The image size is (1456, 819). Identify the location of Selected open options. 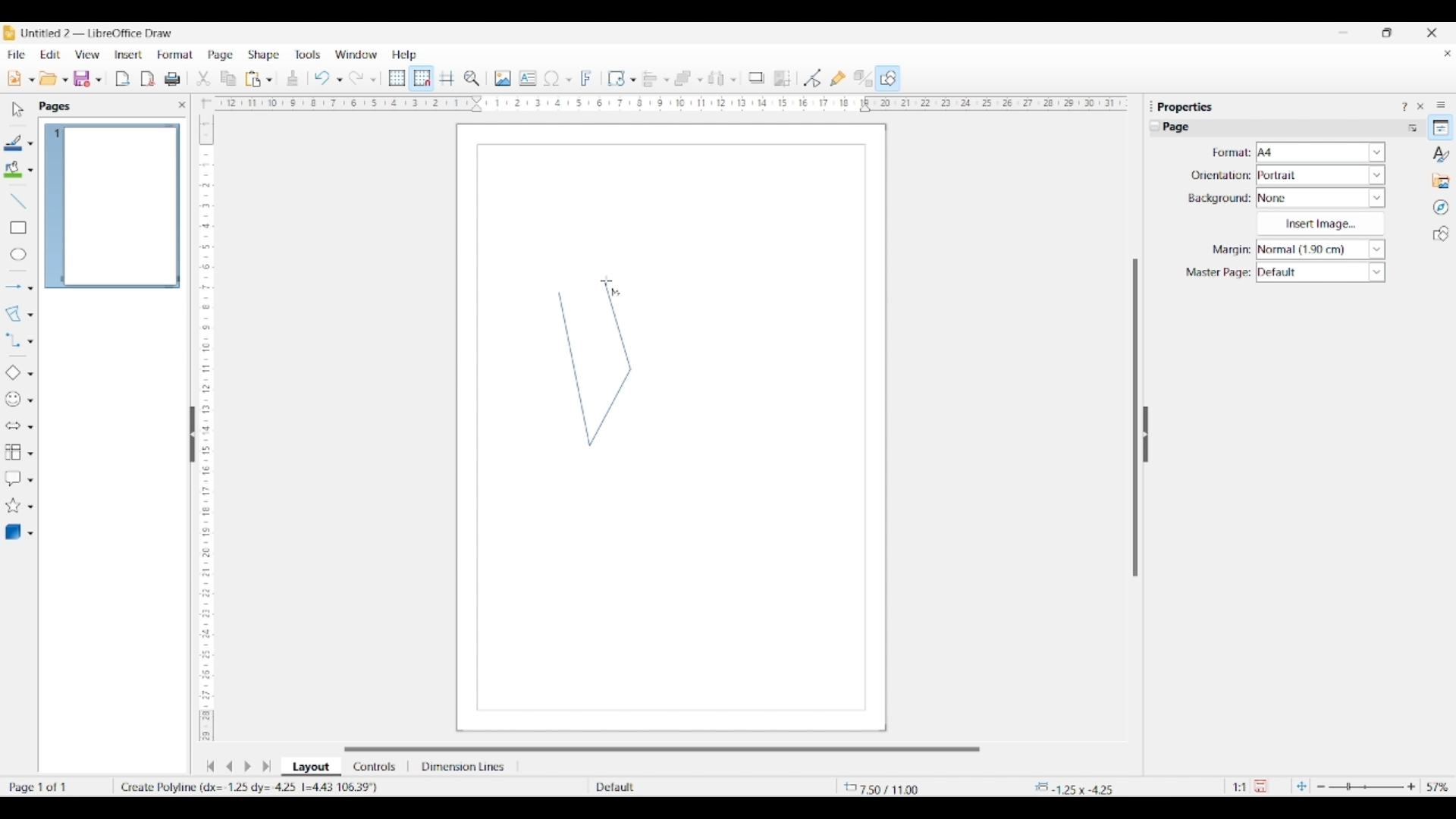
(49, 79).